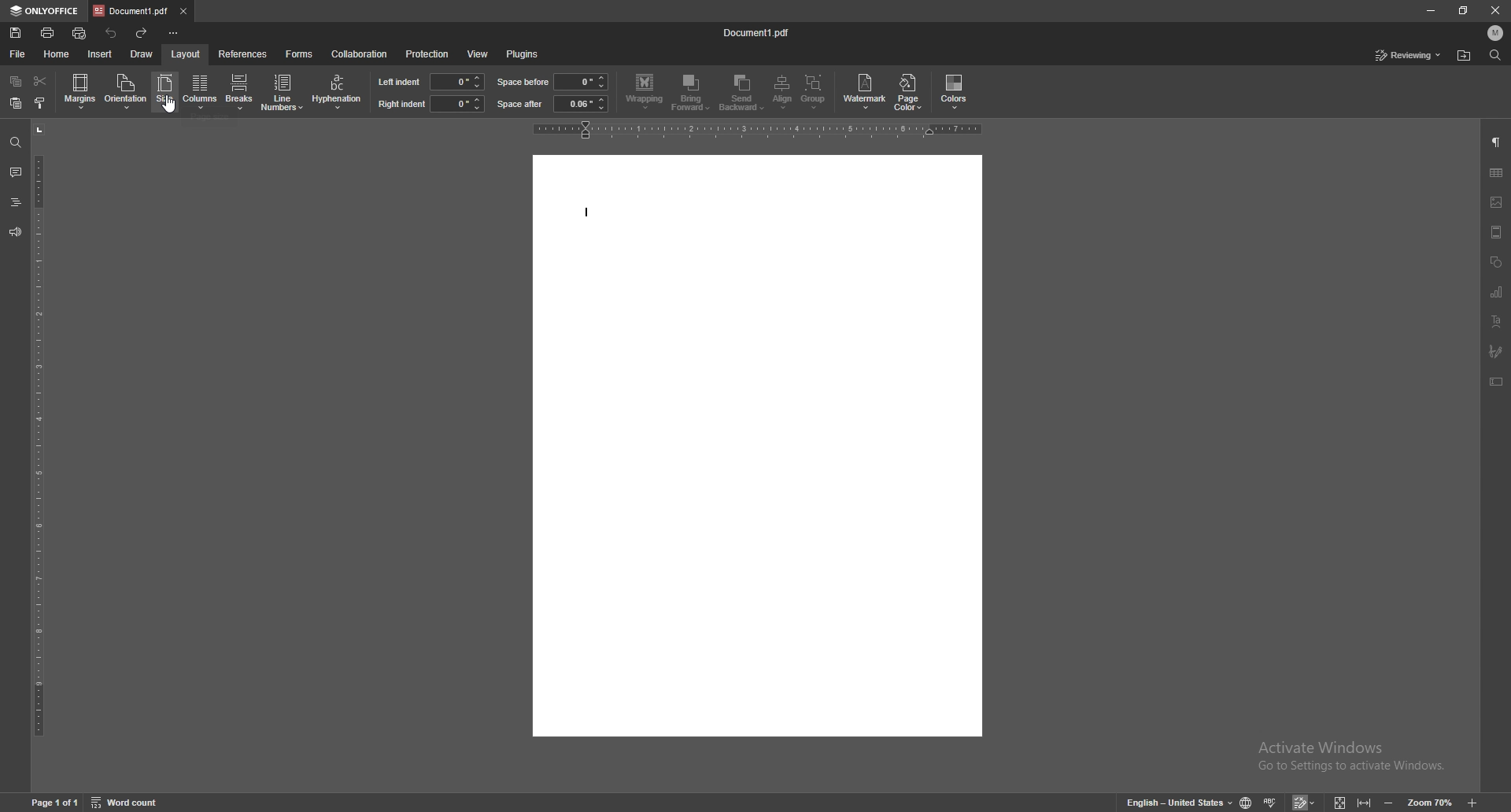  What do you see at coordinates (1495, 351) in the screenshot?
I see `signature` at bounding box center [1495, 351].